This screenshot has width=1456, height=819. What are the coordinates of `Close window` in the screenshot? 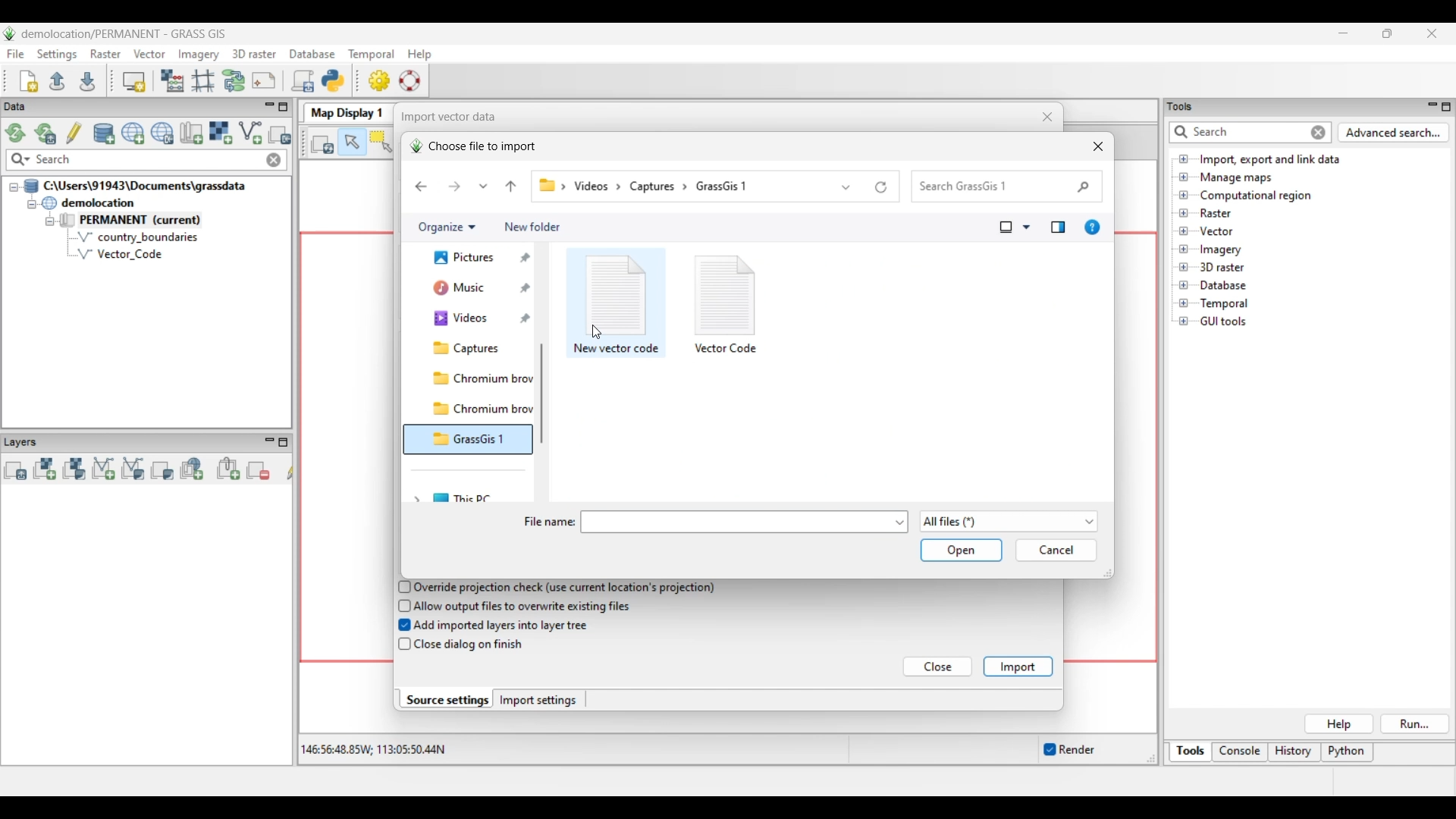 It's located at (1098, 146).